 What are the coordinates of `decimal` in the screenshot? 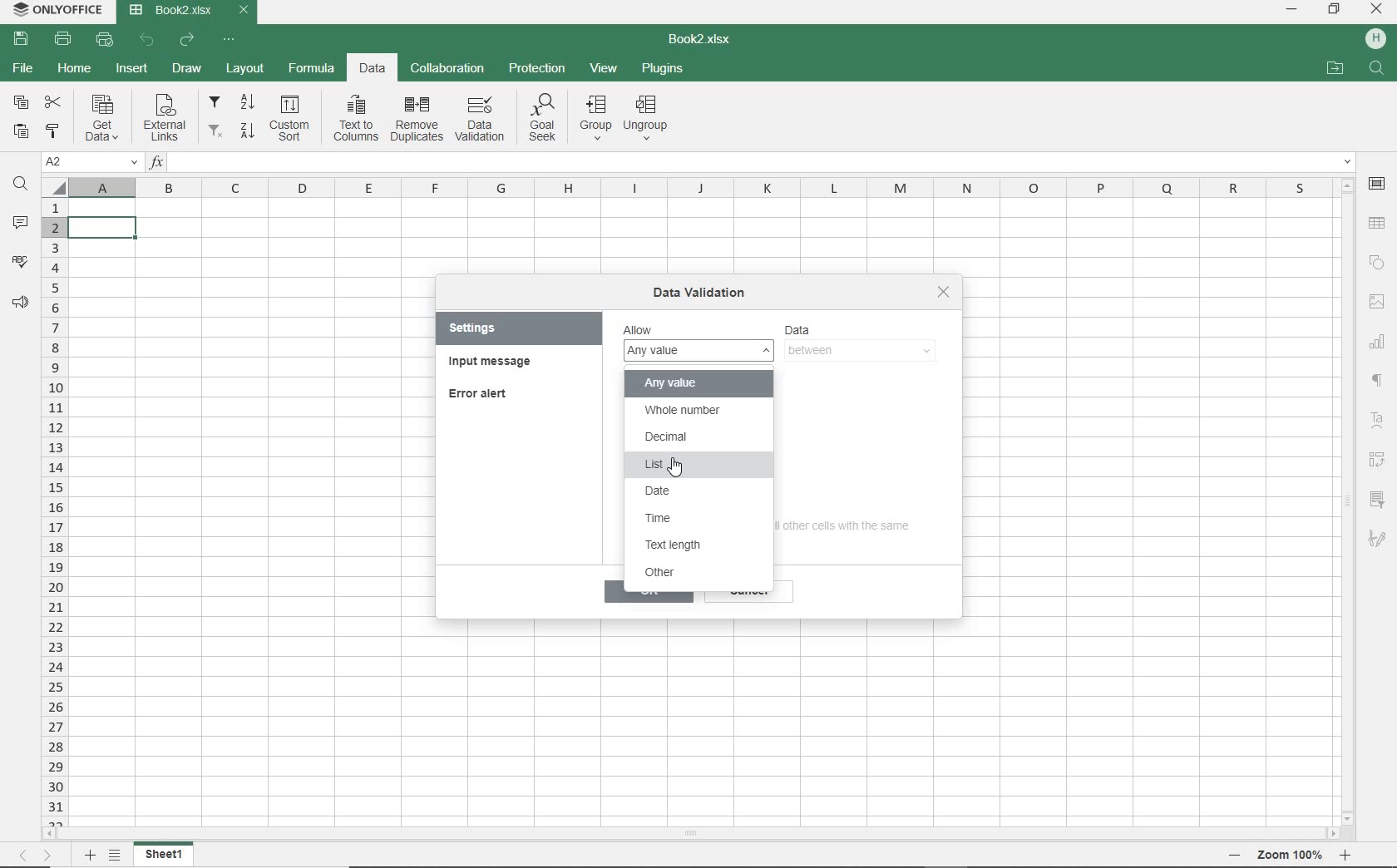 It's located at (685, 437).